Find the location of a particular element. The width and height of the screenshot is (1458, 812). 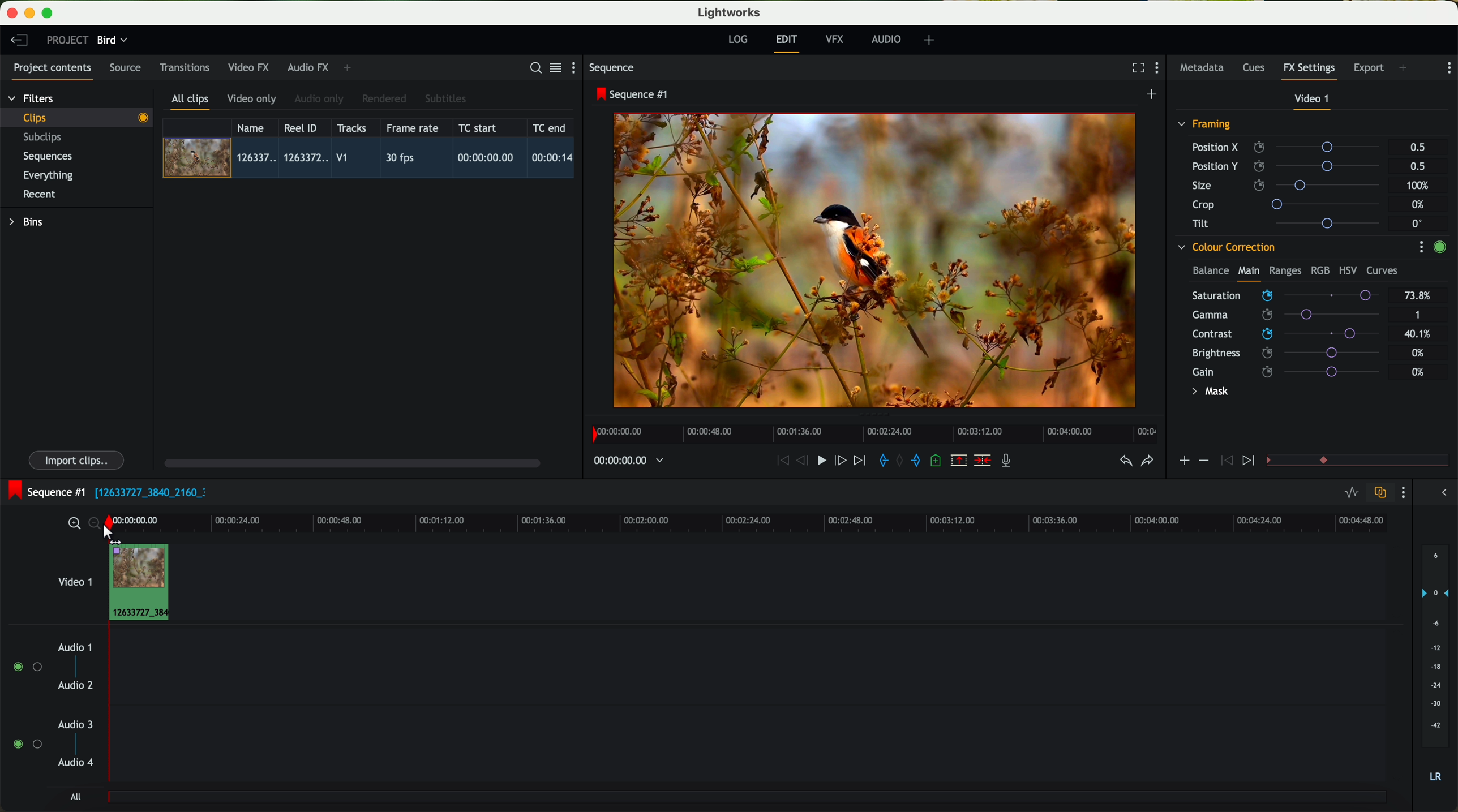

scroll bar is located at coordinates (351, 462).